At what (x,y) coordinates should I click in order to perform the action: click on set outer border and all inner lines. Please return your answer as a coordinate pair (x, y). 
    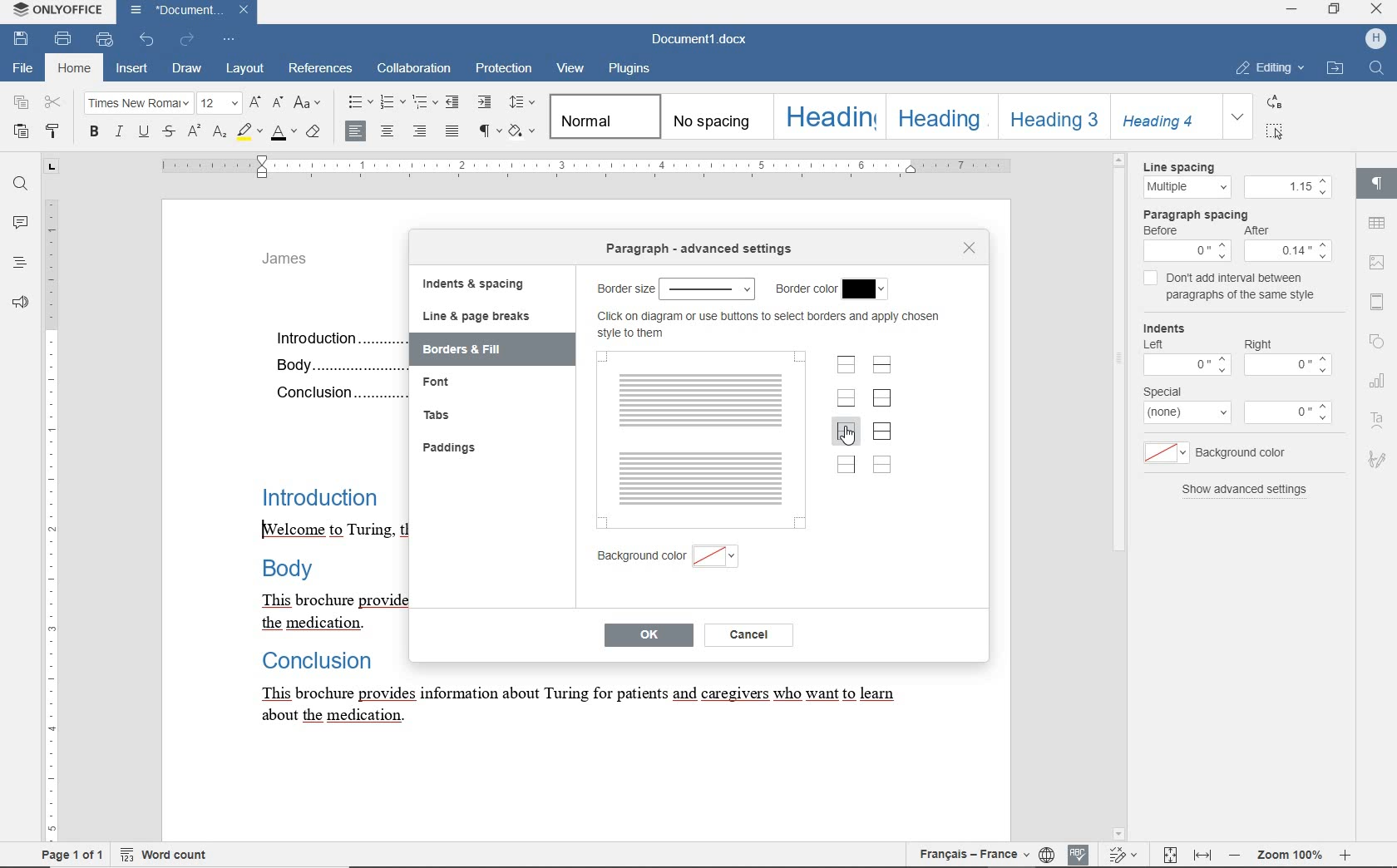
    Looking at the image, I should click on (882, 431).